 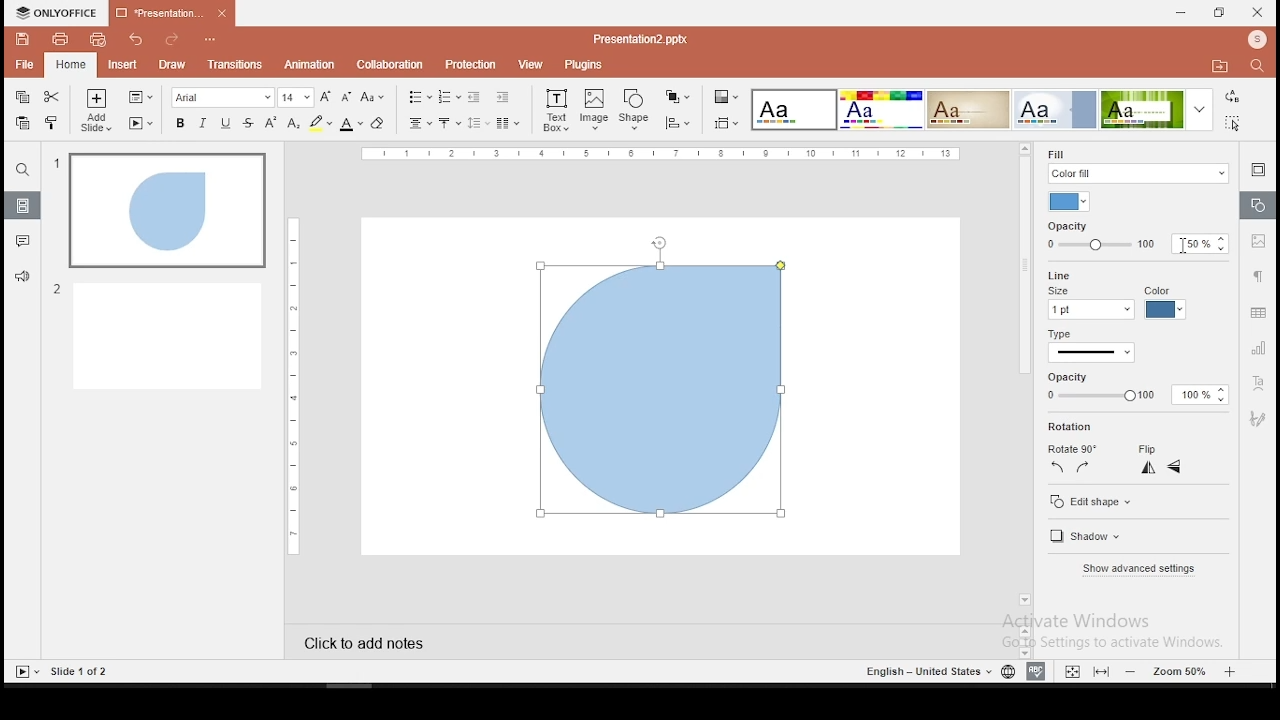 What do you see at coordinates (1022, 382) in the screenshot?
I see `scroll bar` at bounding box center [1022, 382].